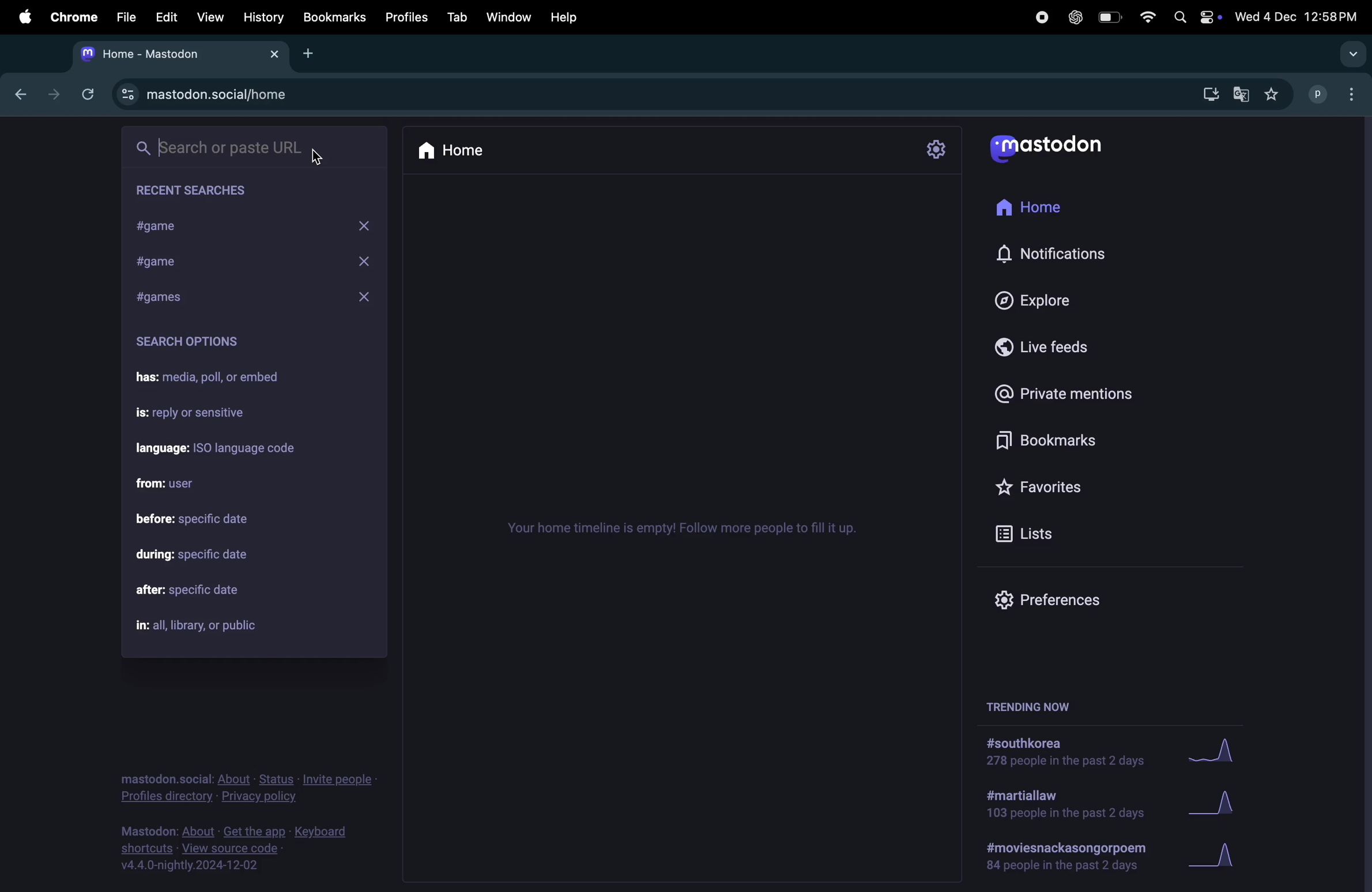  What do you see at coordinates (320, 156) in the screenshot?
I see `cursor` at bounding box center [320, 156].